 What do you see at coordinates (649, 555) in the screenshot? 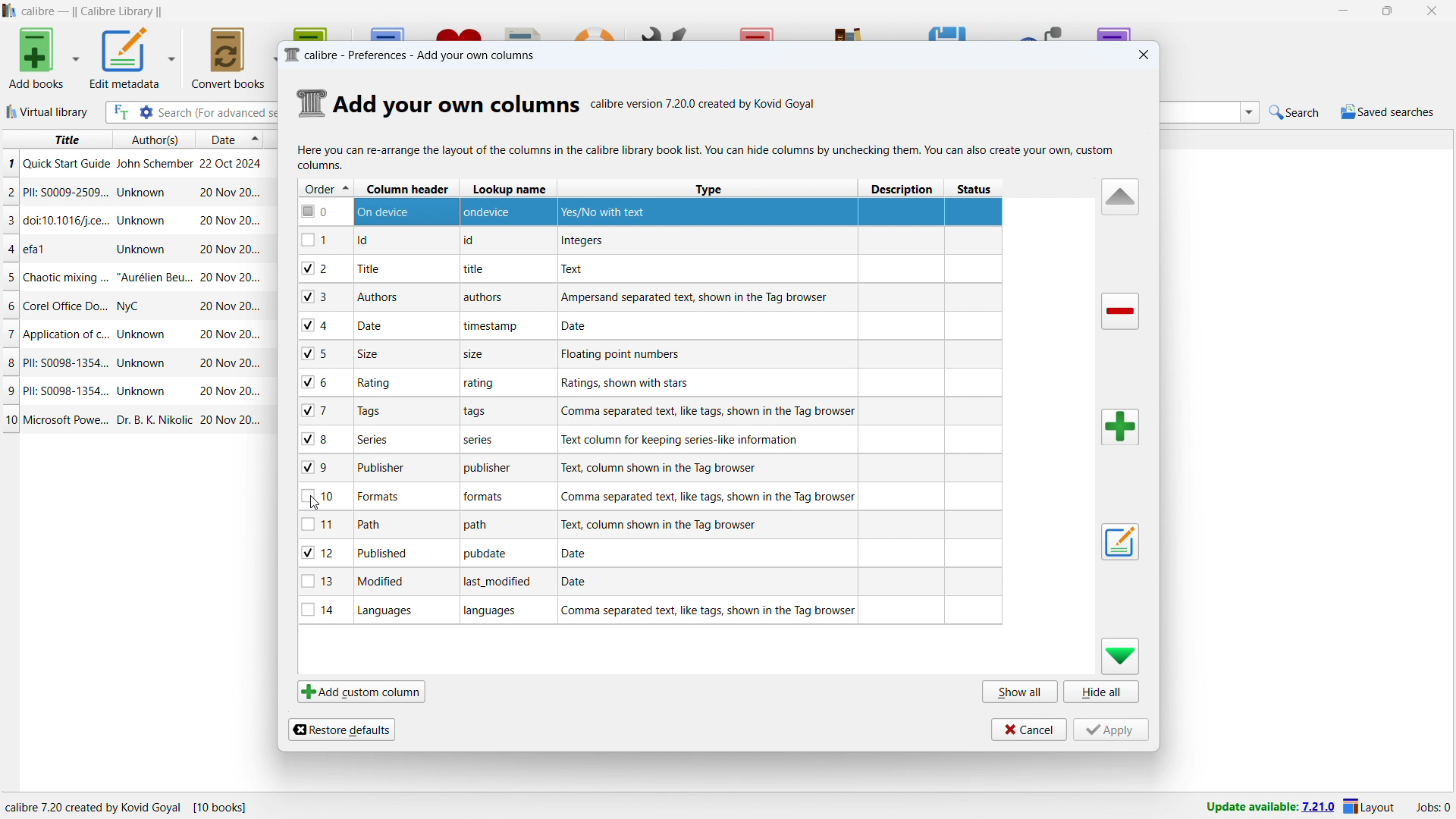
I see `v/12 Published pubdate Date` at bounding box center [649, 555].